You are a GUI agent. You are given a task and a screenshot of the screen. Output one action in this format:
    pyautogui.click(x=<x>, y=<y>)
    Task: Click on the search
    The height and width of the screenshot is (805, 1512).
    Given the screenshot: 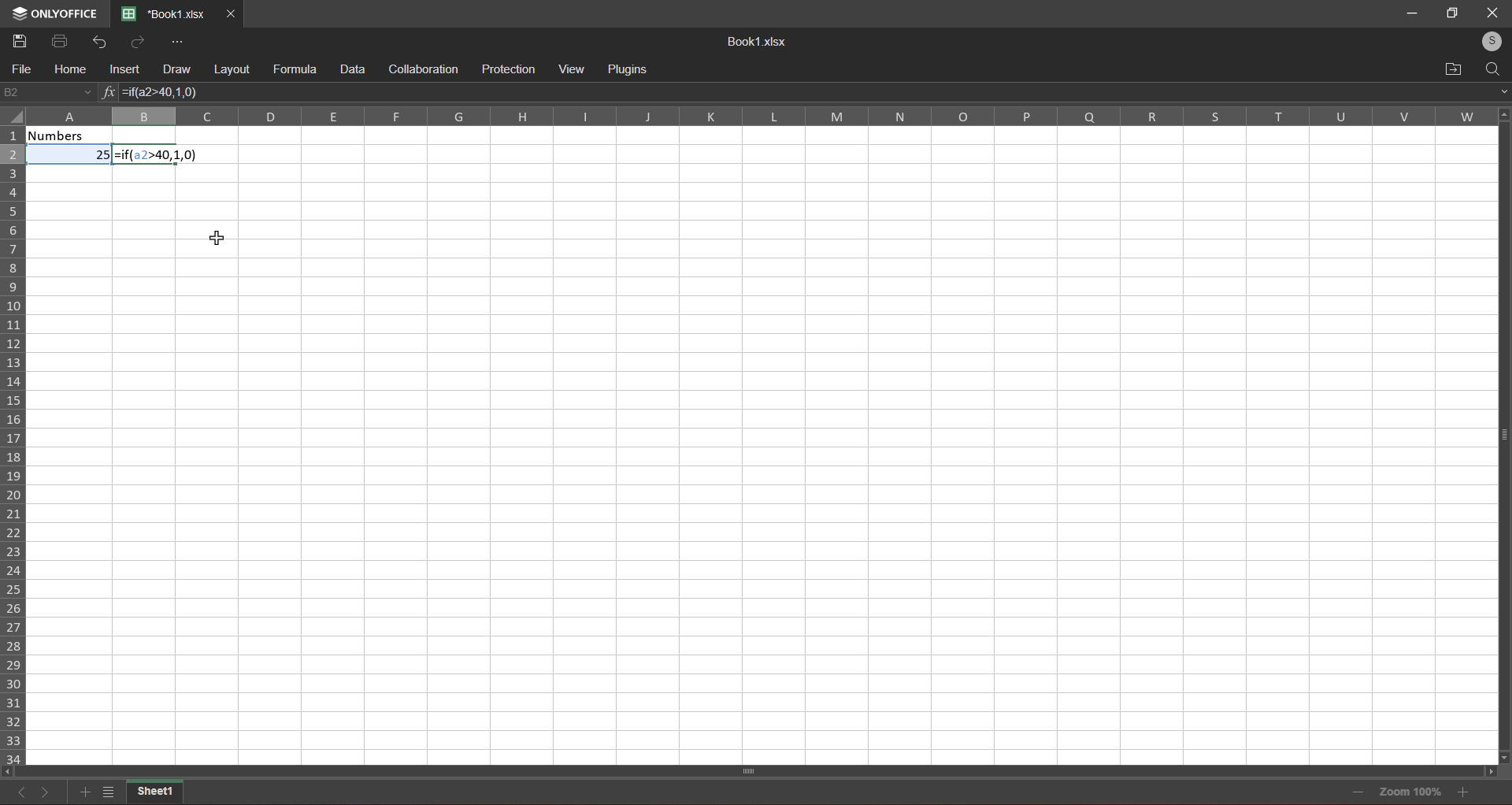 What is the action you would take?
    pyautogui.click(x=1494, y=67)
    